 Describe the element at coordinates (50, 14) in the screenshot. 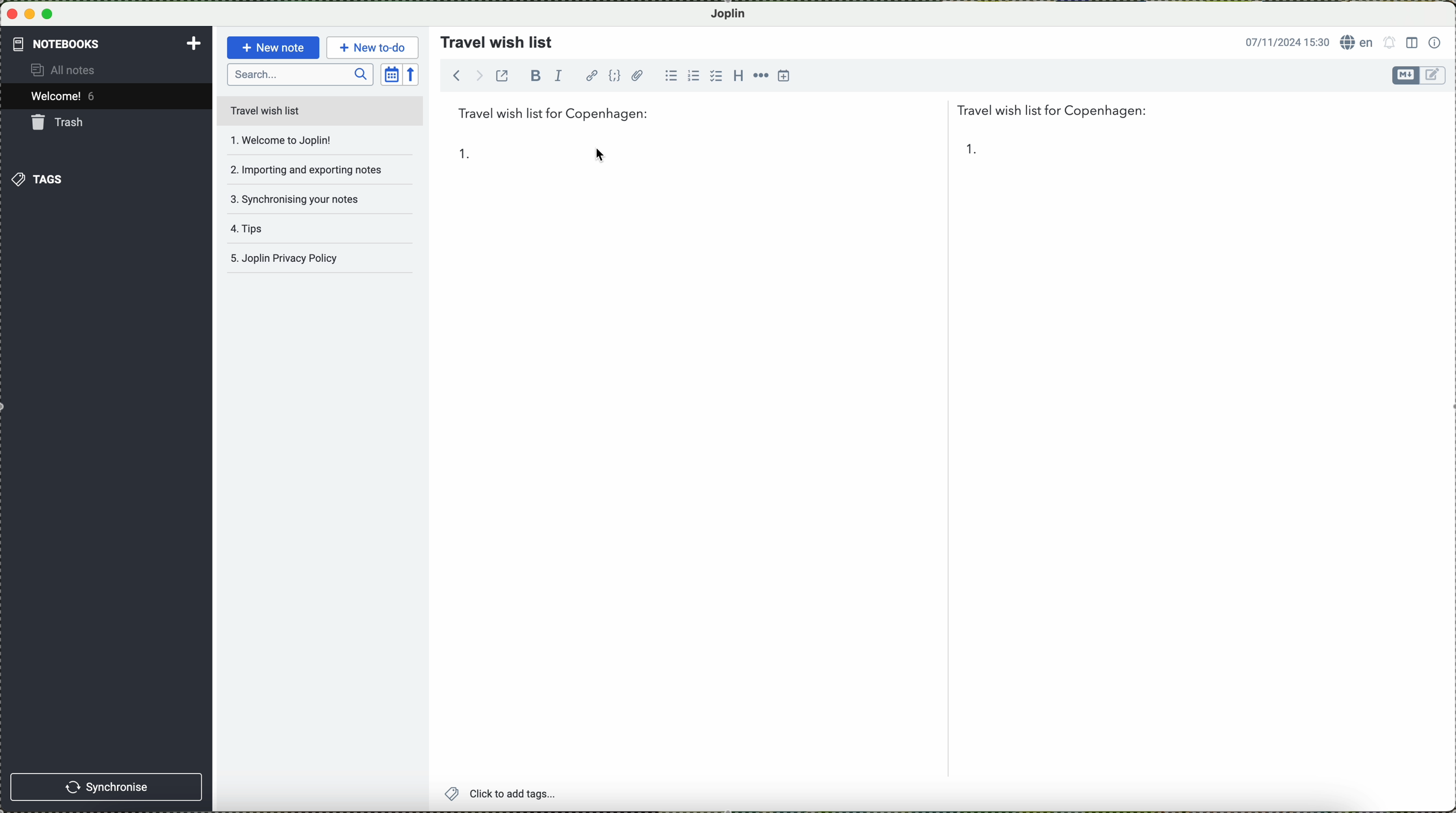

I see `maximize` at that location.